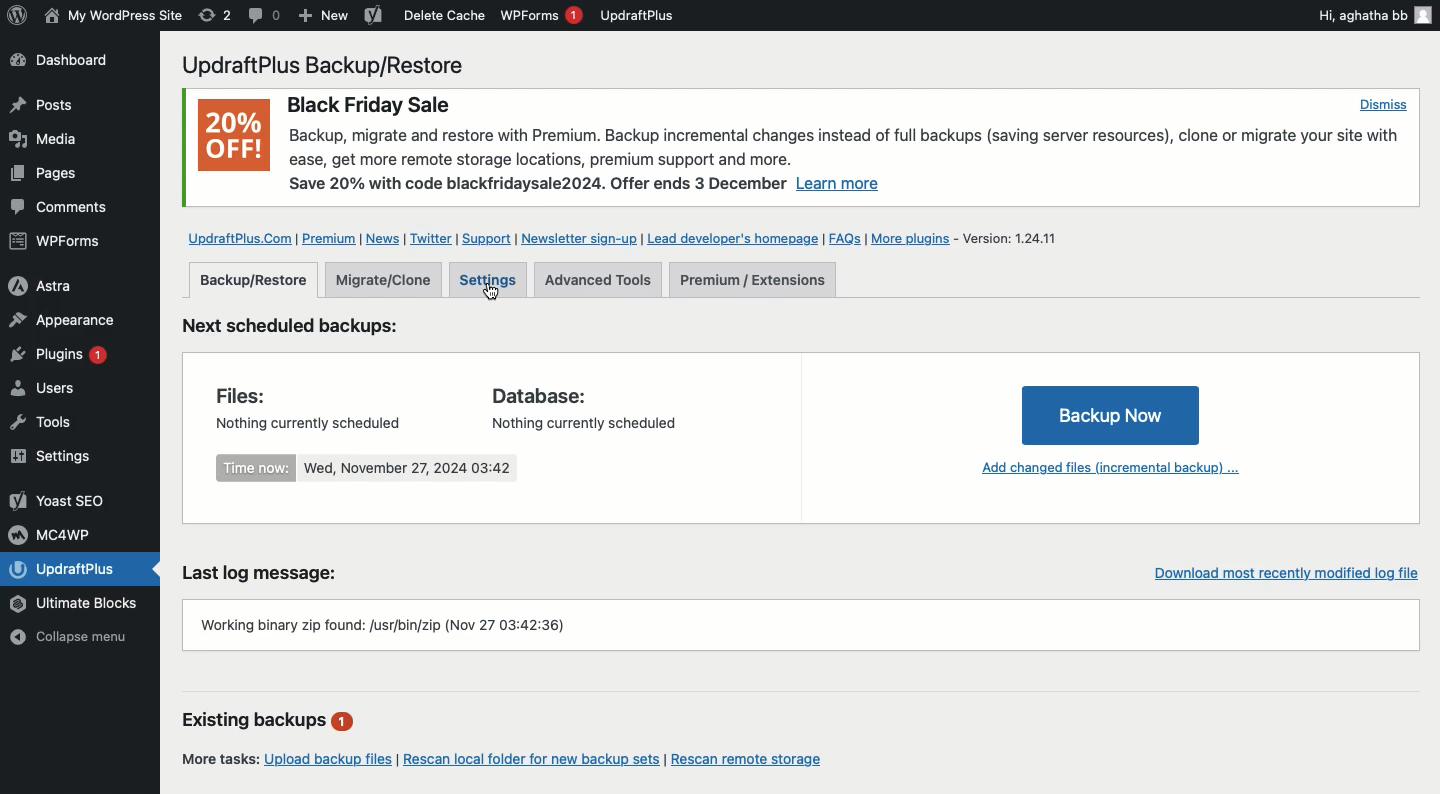 This screenshot has height=794, width=1440. I want to click on Database, so click(558, 395).